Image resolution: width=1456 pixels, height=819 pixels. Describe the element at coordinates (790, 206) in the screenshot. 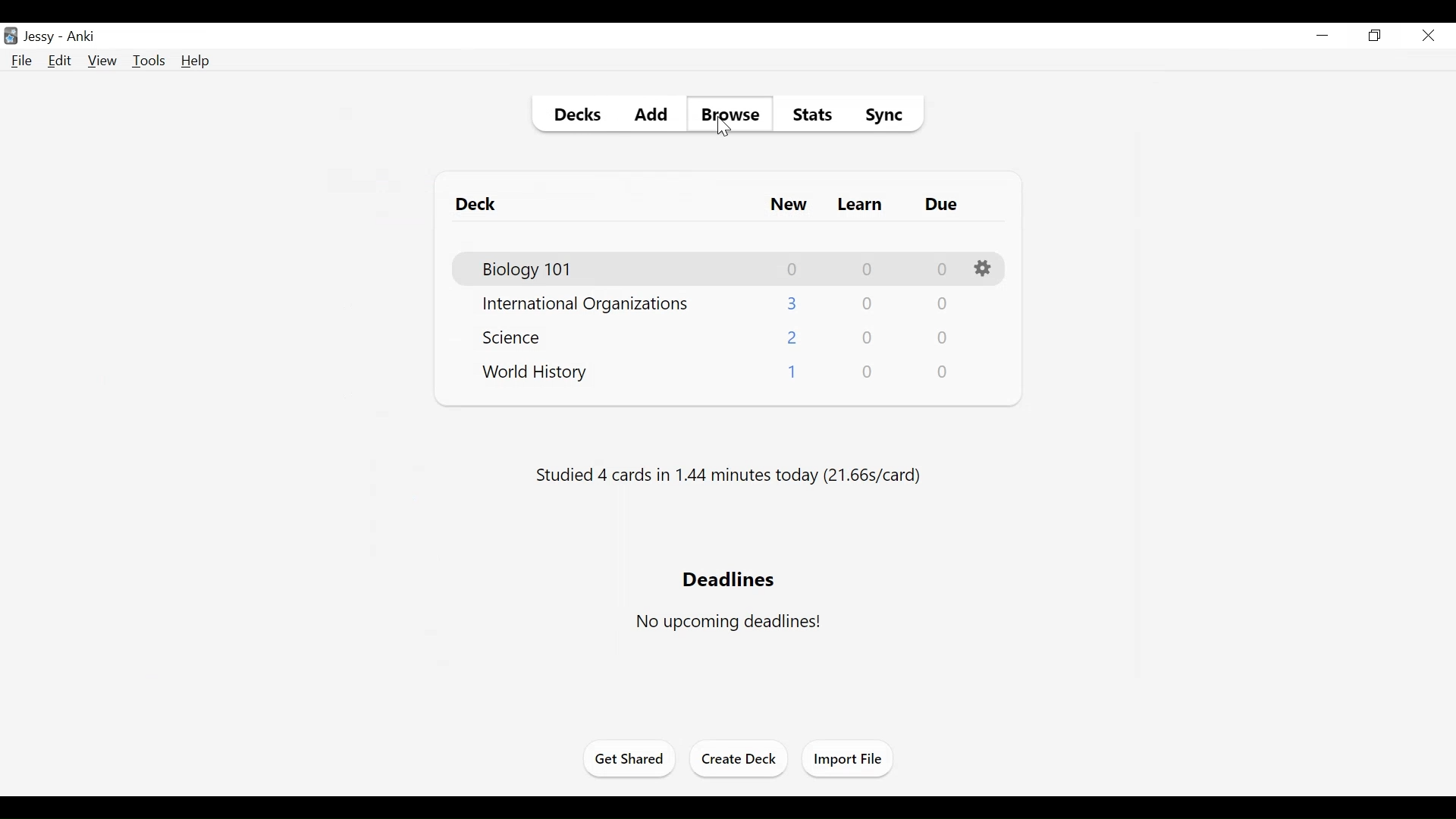

I see `New Cards` at that location.